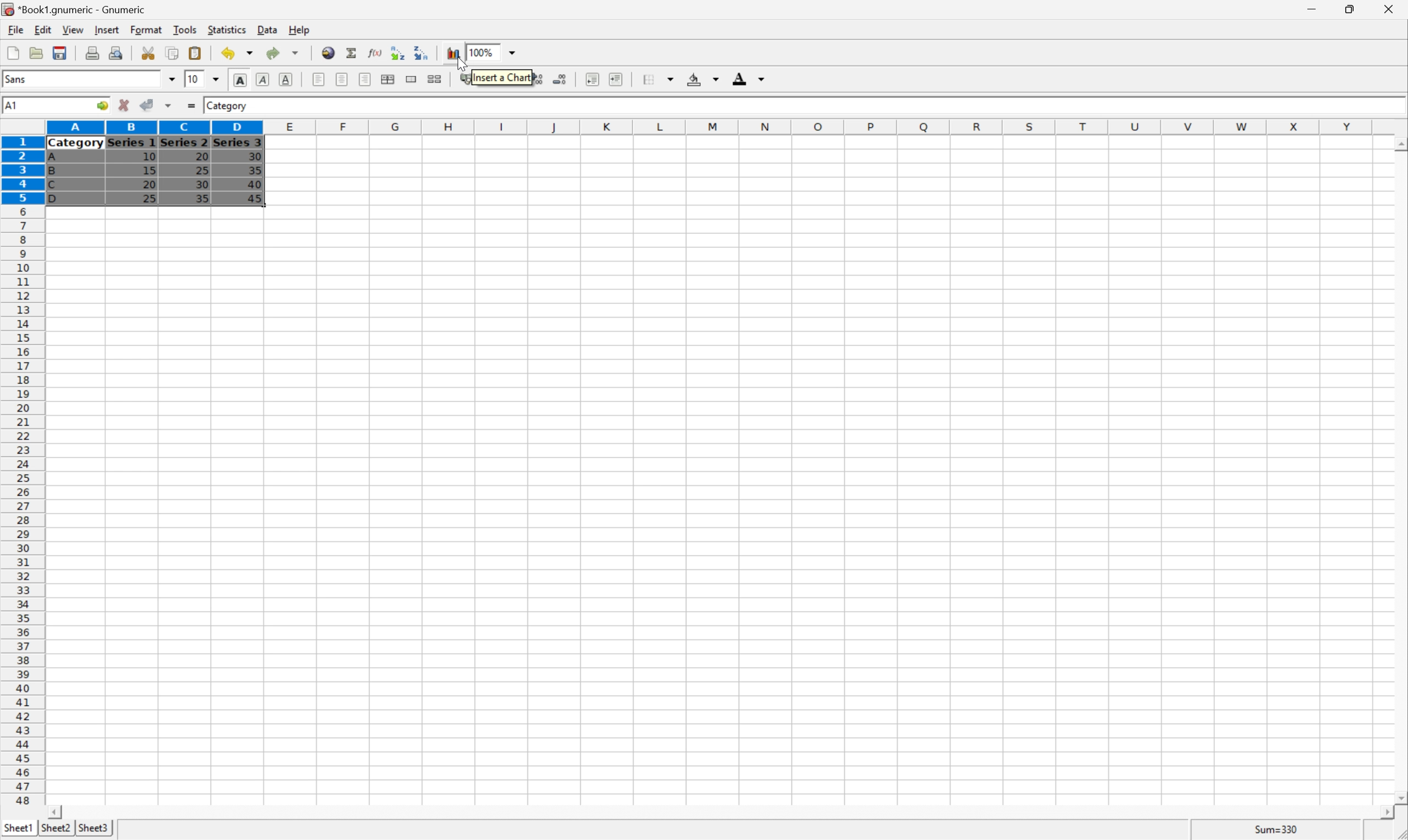  I want to click on View, so click(73, 29).